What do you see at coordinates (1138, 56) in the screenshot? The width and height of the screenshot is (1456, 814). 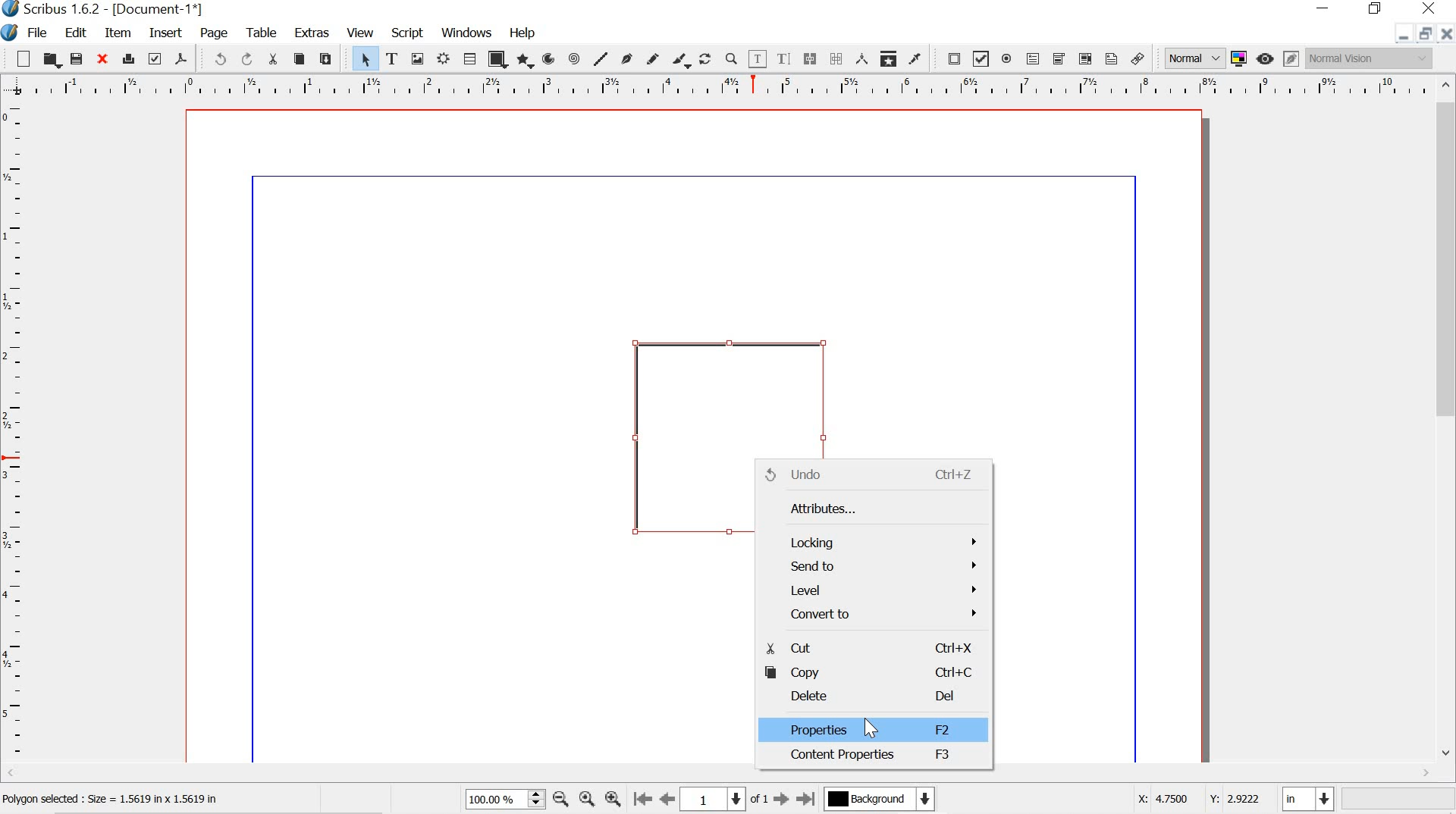 I see `link annotation` at bounding box center [1138, 56].